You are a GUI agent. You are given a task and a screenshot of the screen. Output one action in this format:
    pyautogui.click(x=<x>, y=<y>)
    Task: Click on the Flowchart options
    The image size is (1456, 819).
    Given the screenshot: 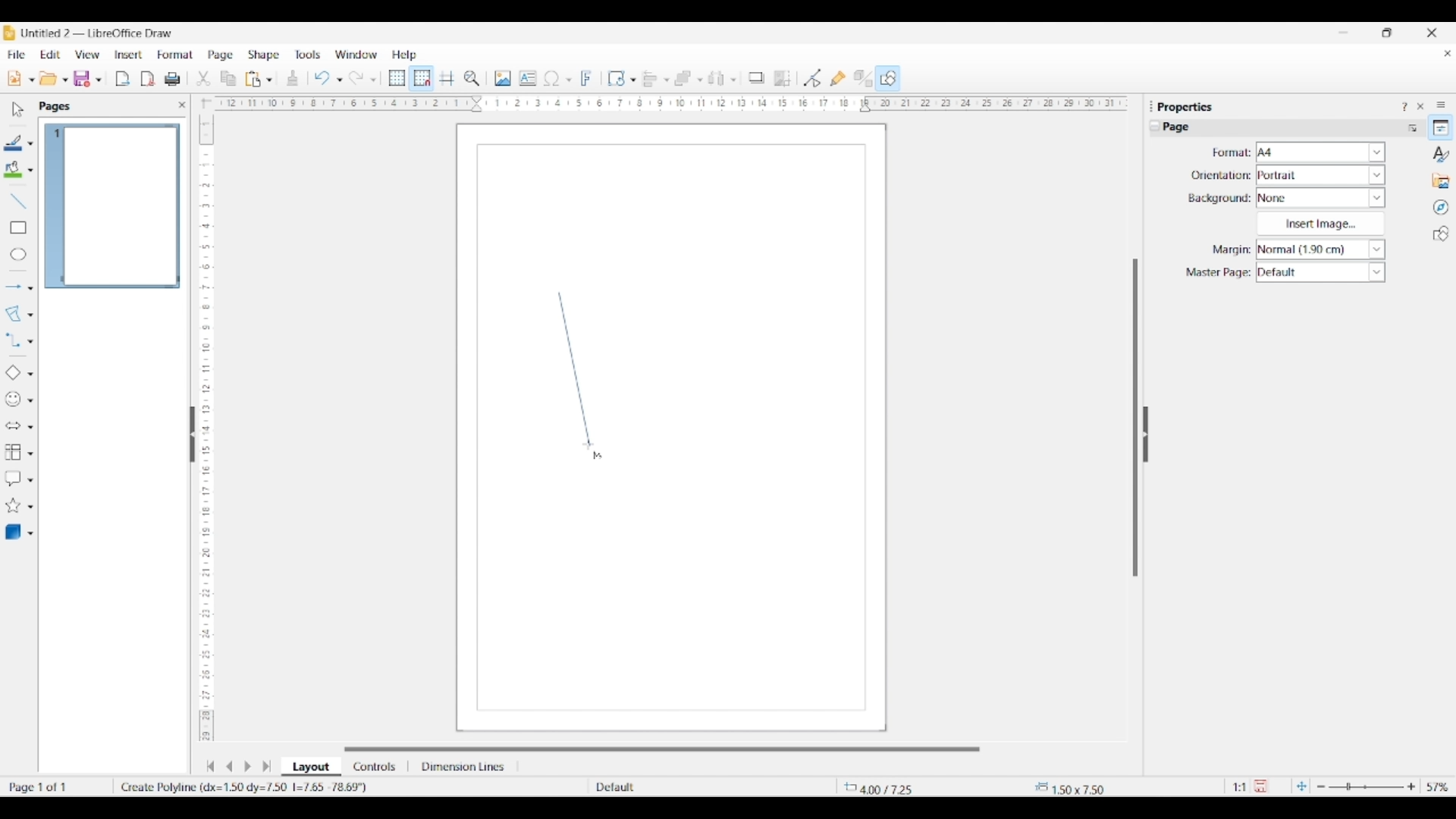 What is the action you would take?
    pyautogui.click(x=30, y=453)
    